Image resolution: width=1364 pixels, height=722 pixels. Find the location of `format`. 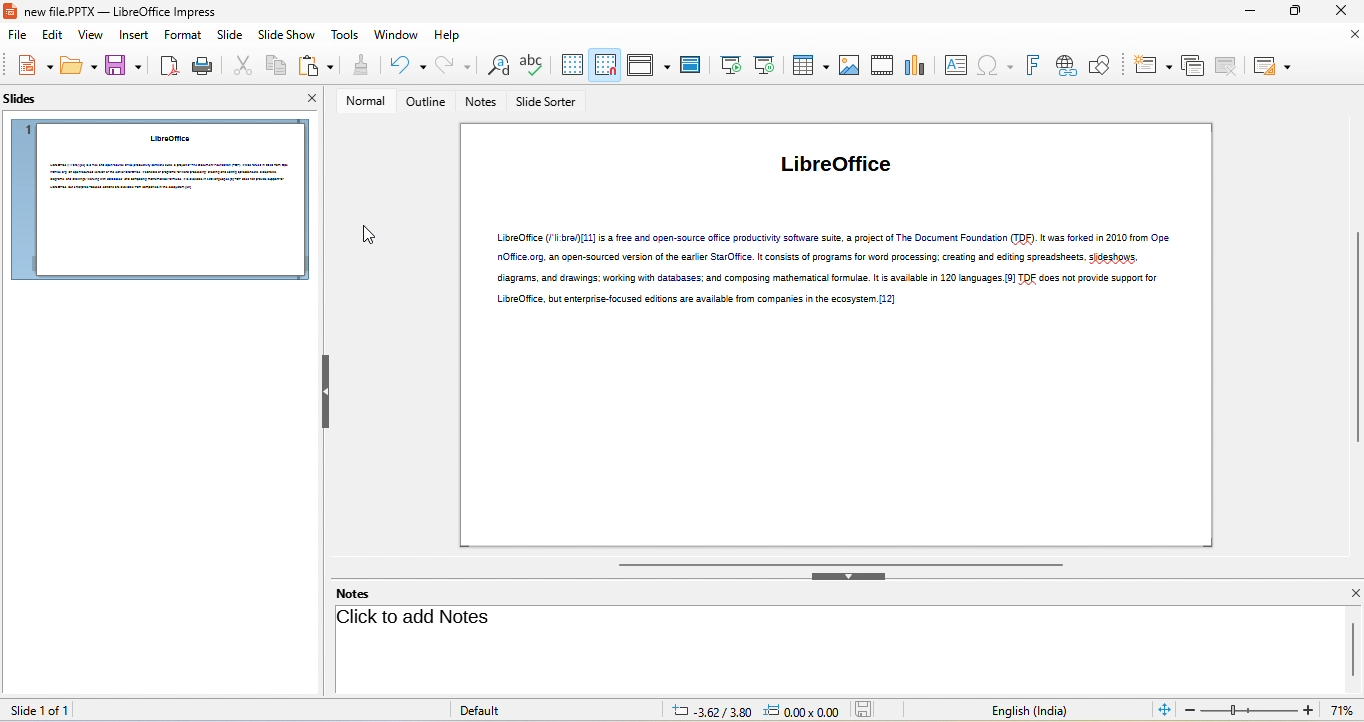

format is located at coordinates (179, 35).